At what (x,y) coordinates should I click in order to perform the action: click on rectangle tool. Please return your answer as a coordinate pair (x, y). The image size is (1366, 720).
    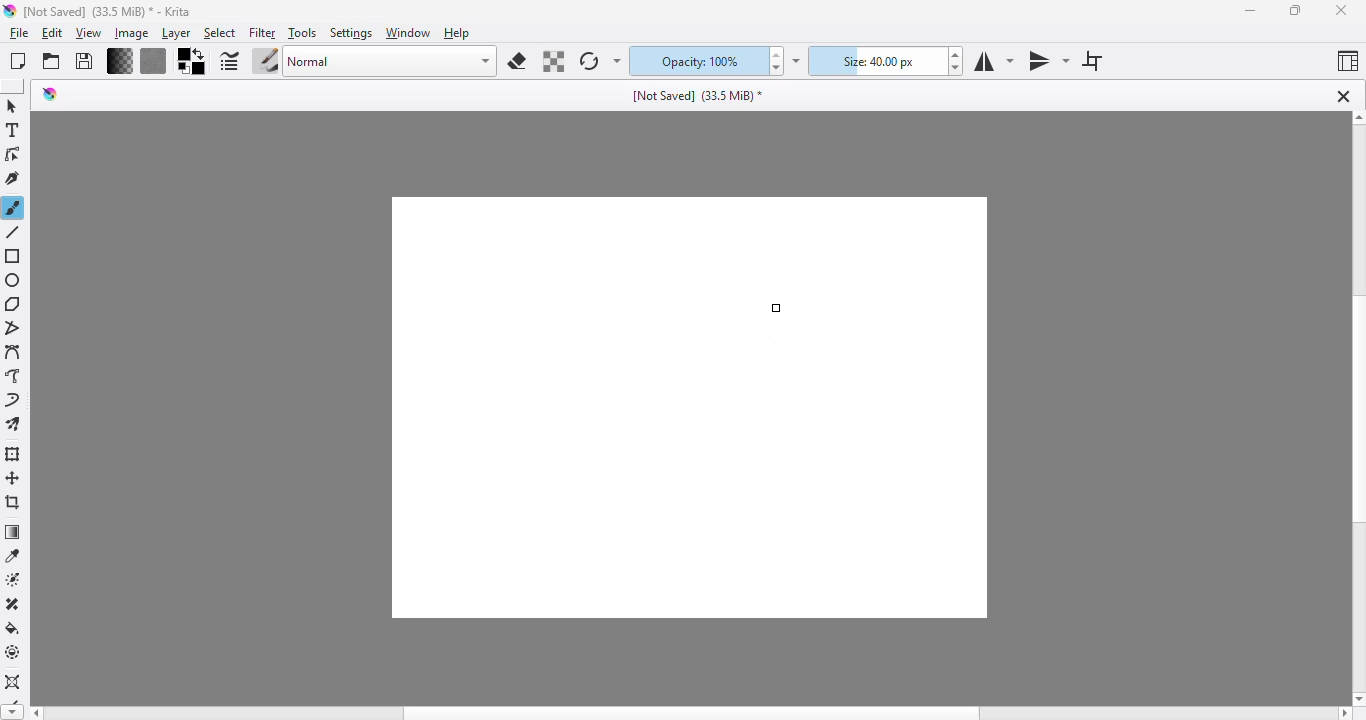
    Looking at the image, I should click on (14, 257).